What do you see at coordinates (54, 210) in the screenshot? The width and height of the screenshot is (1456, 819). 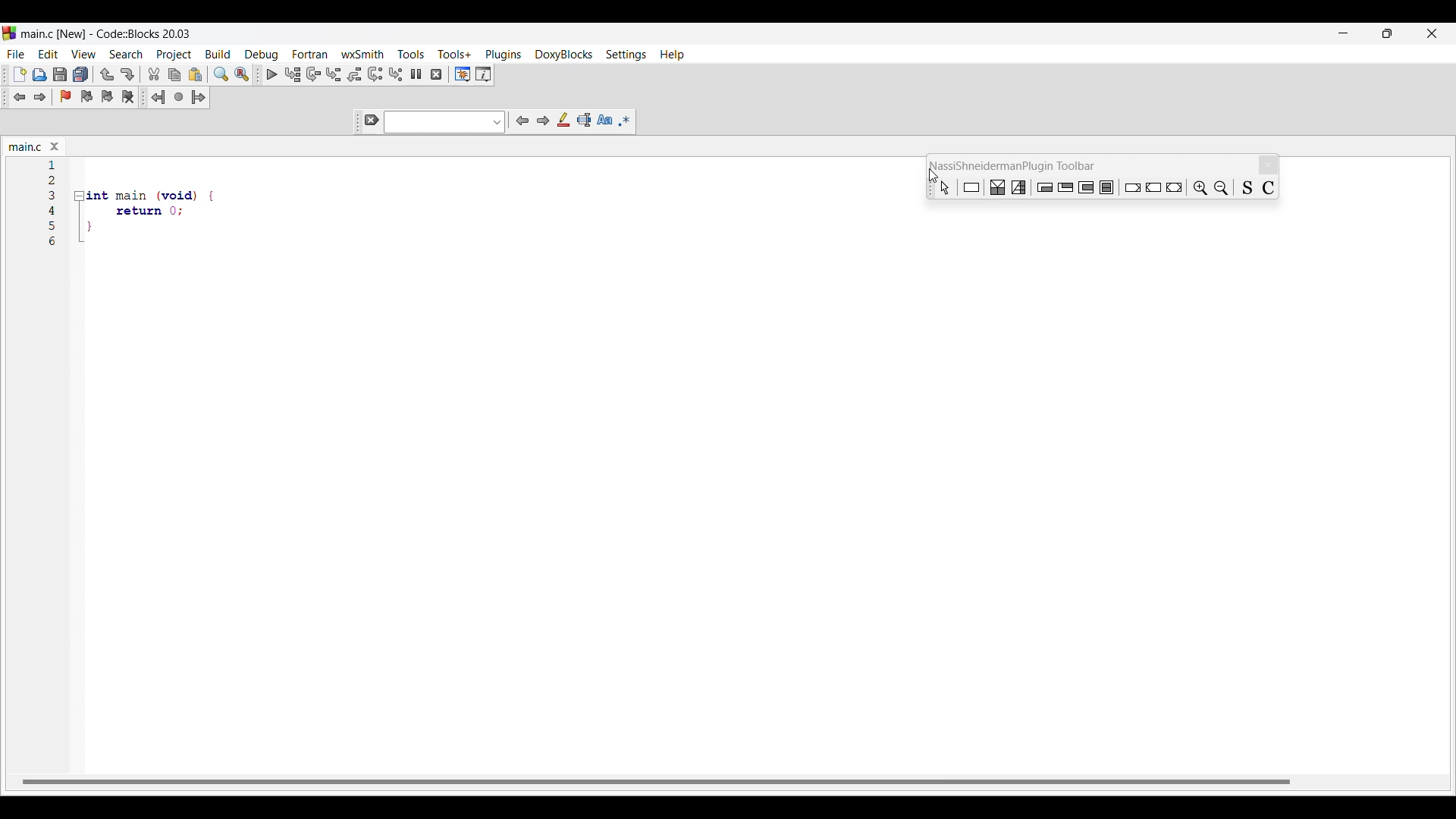 I see `` at bounding box center [54, 210].